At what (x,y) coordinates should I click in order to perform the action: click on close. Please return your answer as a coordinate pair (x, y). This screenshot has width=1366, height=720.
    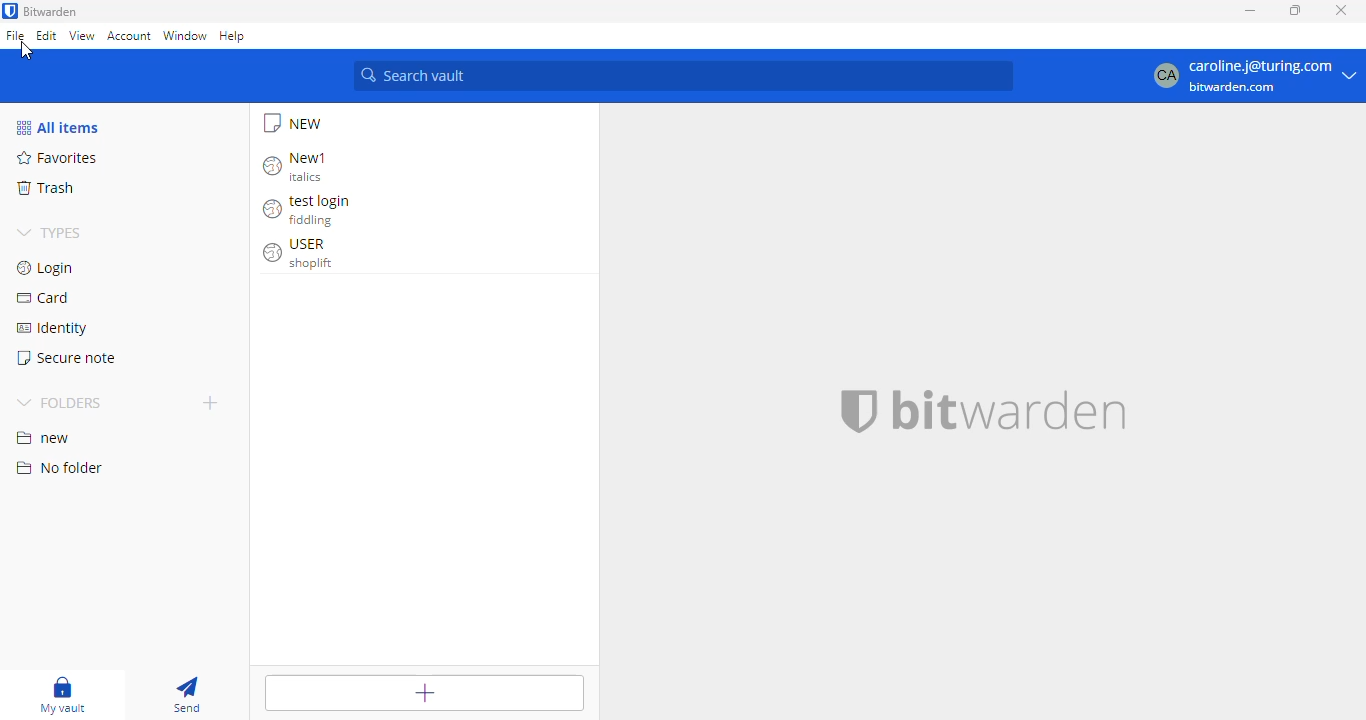
    Looking at the image, I should click on (1341, 11).